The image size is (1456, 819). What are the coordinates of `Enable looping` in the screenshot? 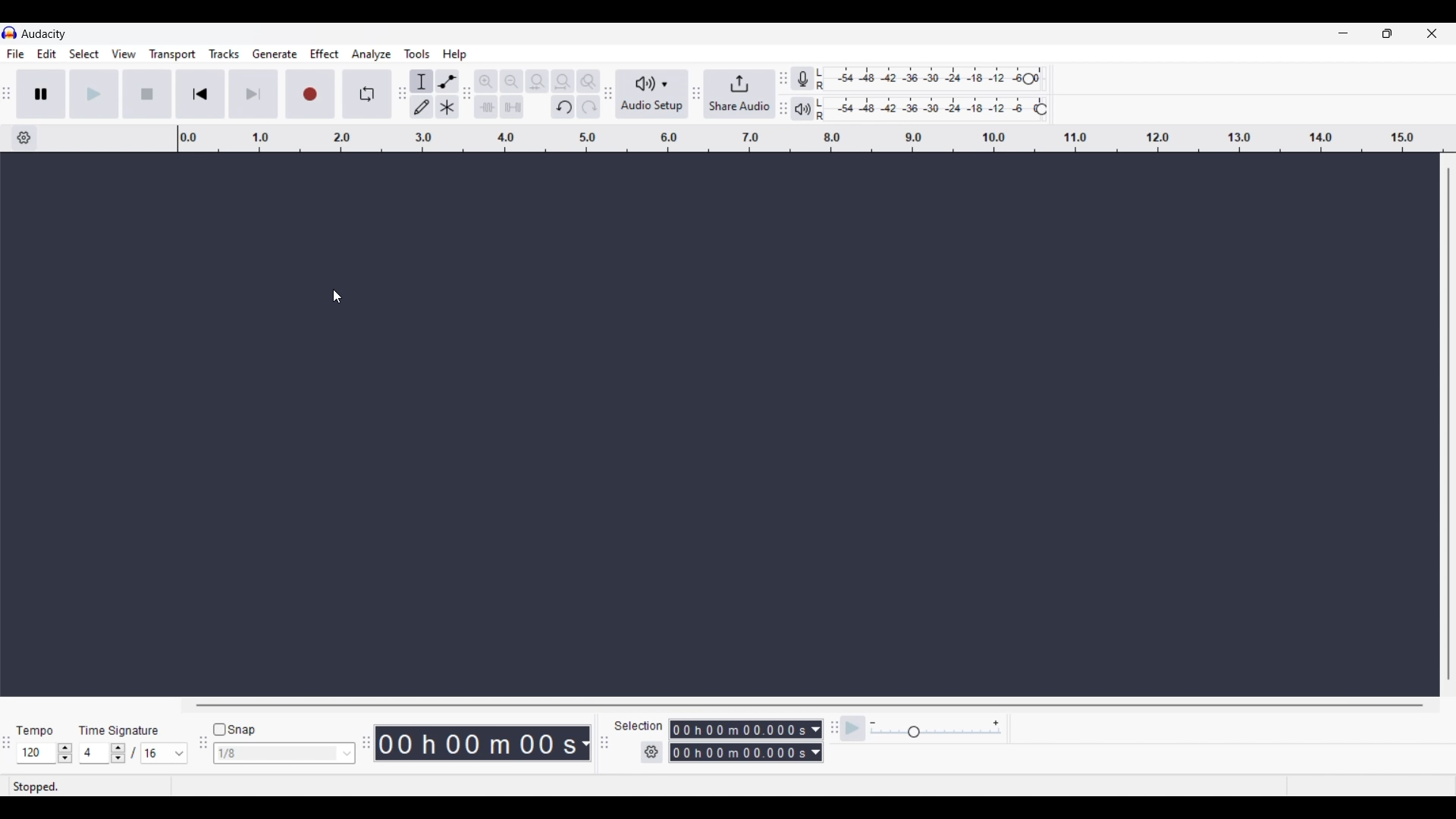 It's located at (368, 94).